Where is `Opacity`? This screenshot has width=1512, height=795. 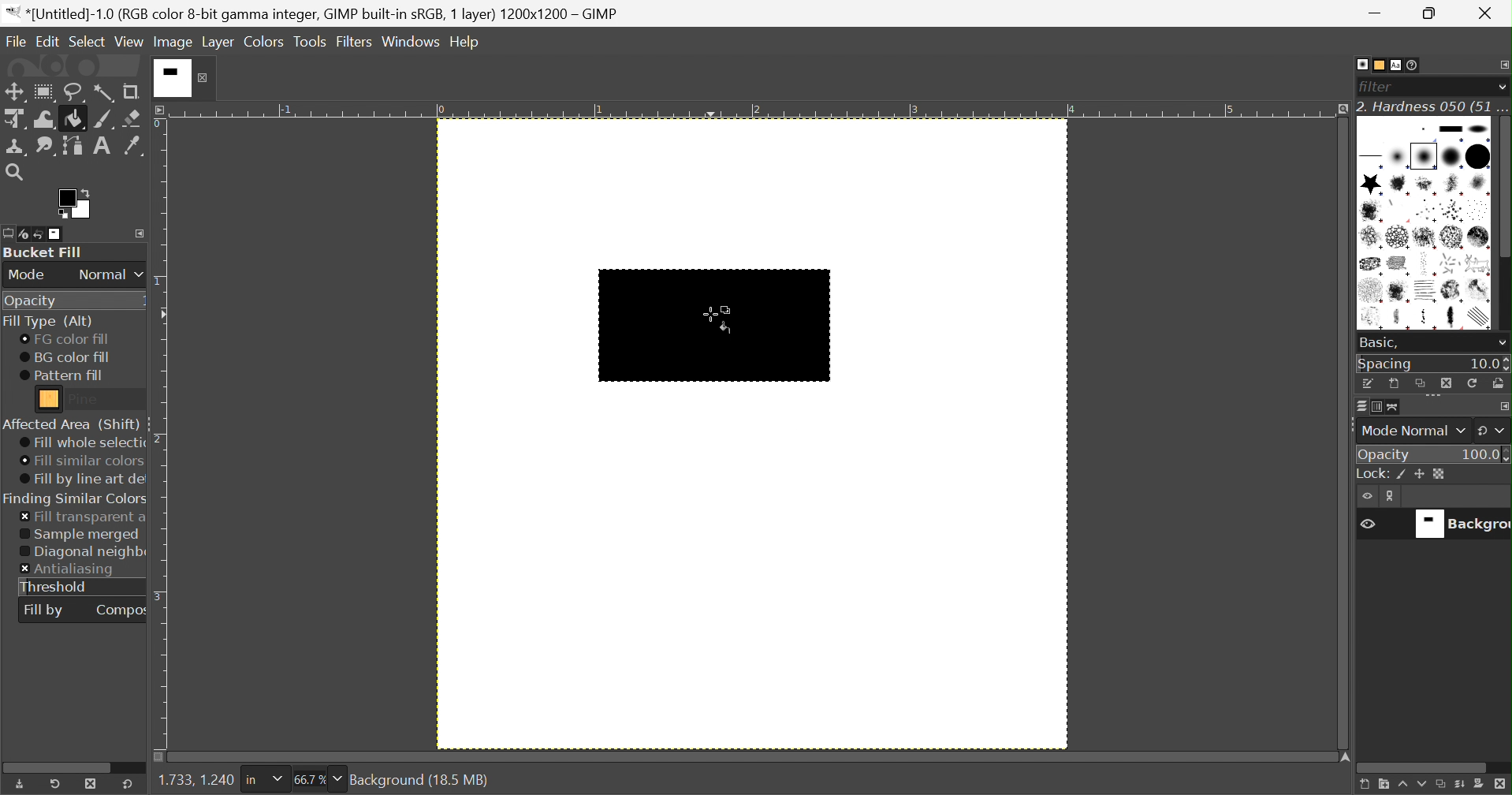
Opacity is located at coordinates (29, 302).